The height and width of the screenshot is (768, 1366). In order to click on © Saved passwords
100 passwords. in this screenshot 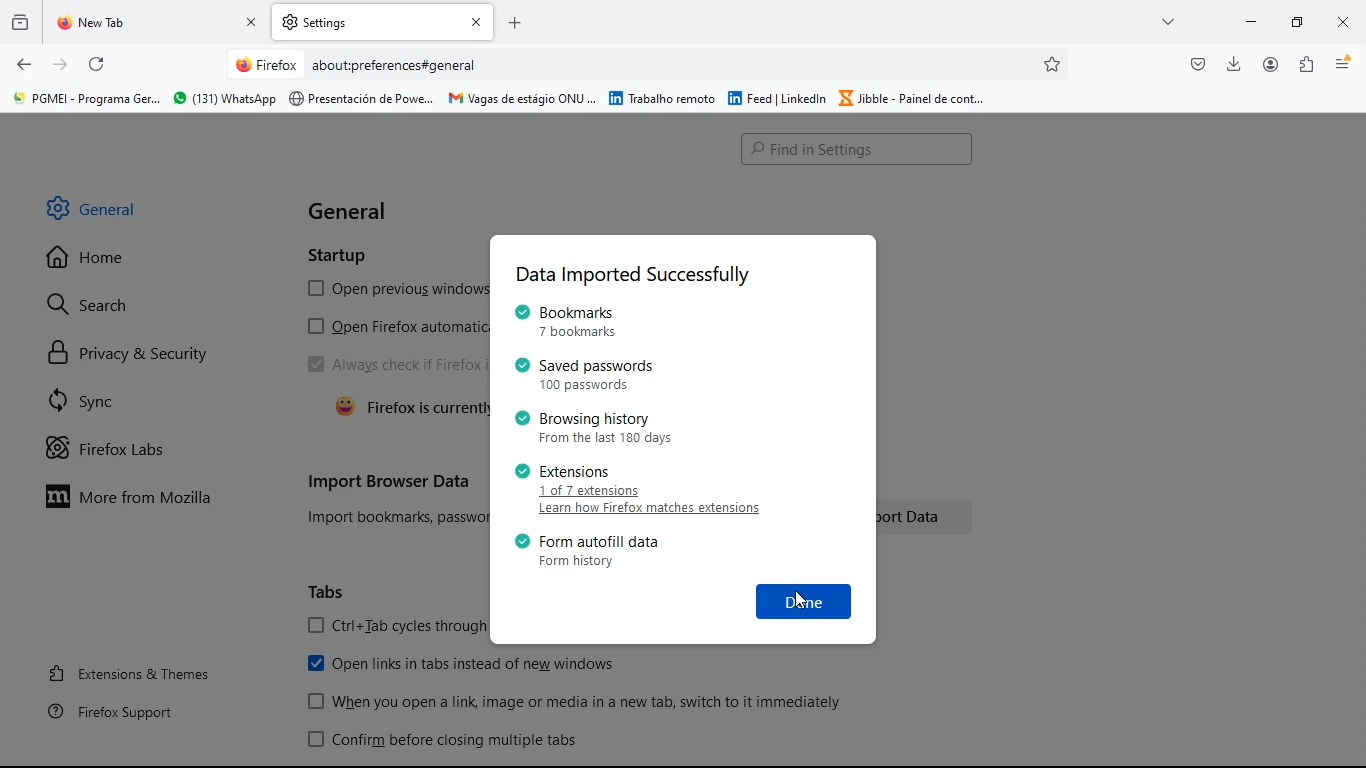, I will do `click(589, 374)`.